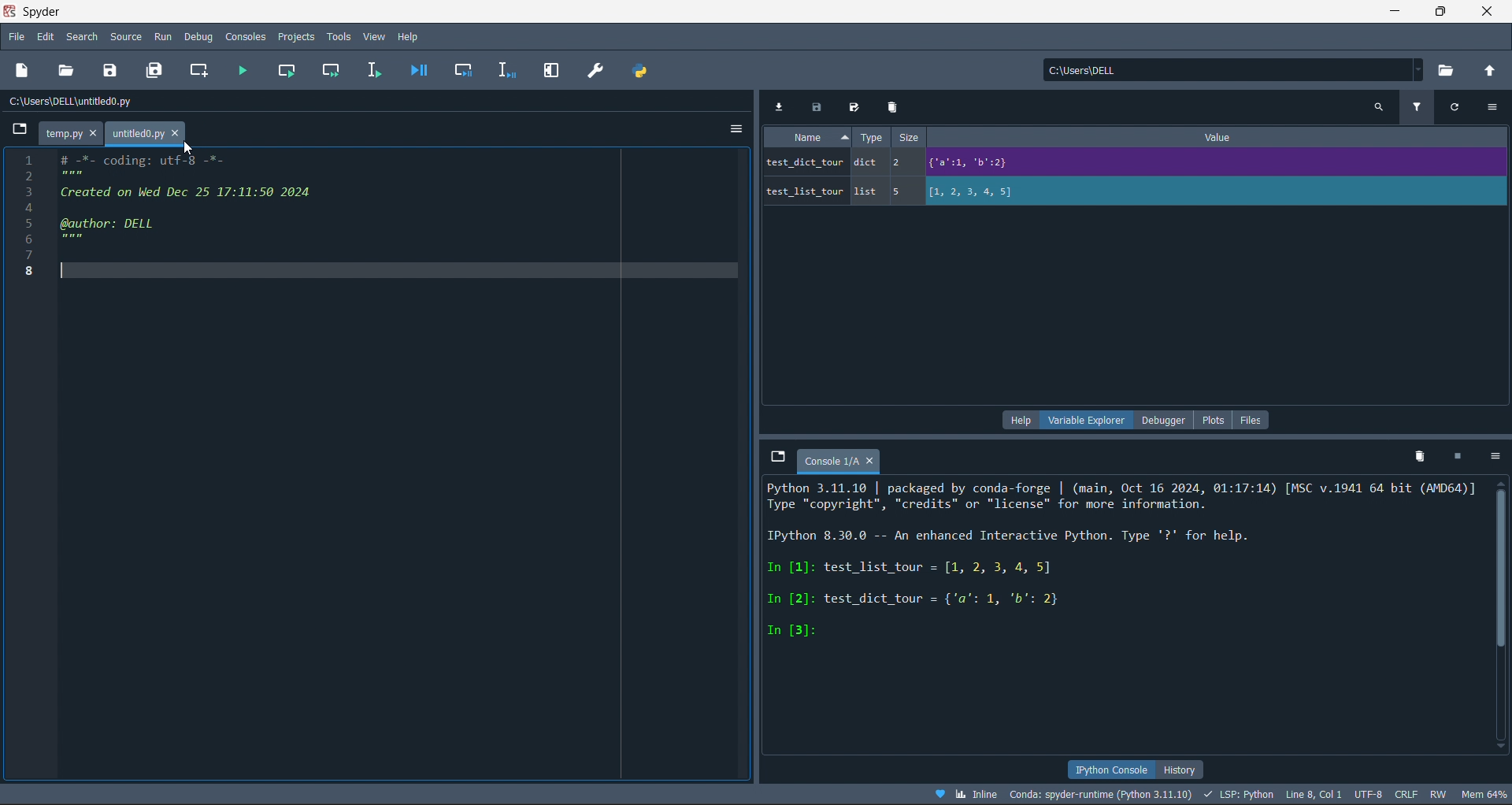 The image size is (1512, 805). Describe the element at coordinates (1388, 796) in the screenshot. I see `UTF-8 CRLF` at that location.